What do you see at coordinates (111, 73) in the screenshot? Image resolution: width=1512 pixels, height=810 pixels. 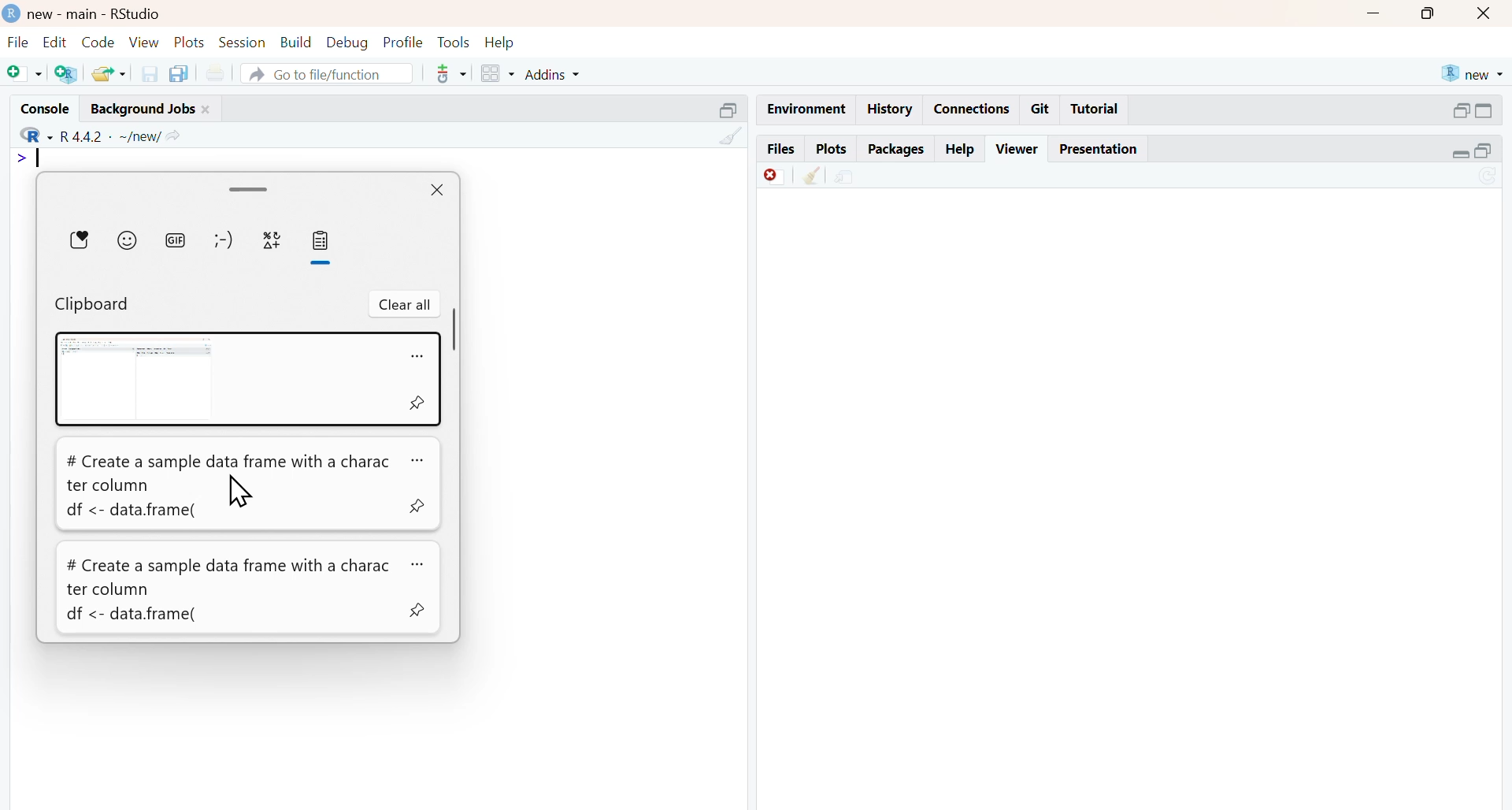 I see `share folder as` at bounding box center [111, 73].